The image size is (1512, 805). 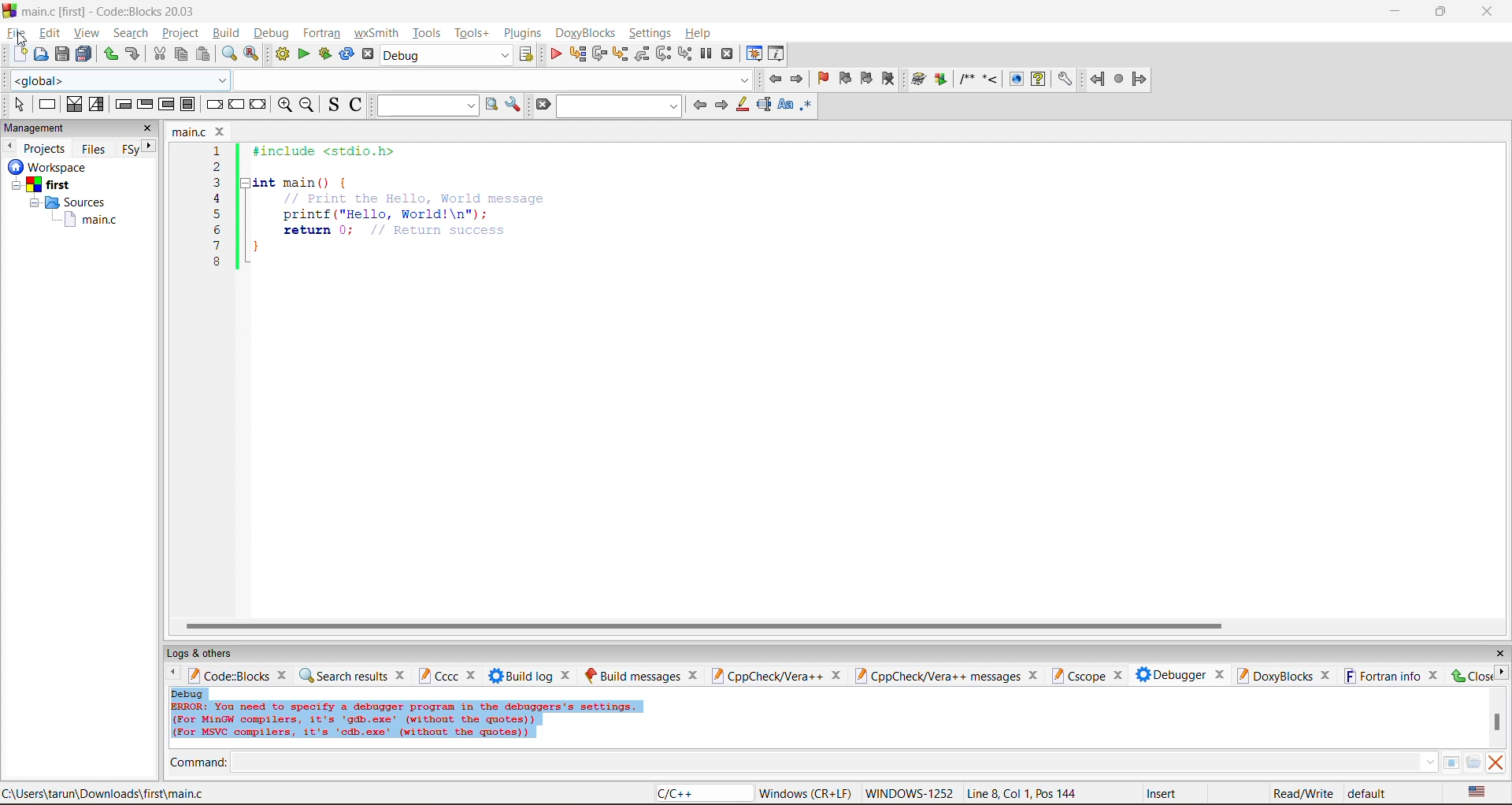 I want to click on management, so click(x=37, y=129).